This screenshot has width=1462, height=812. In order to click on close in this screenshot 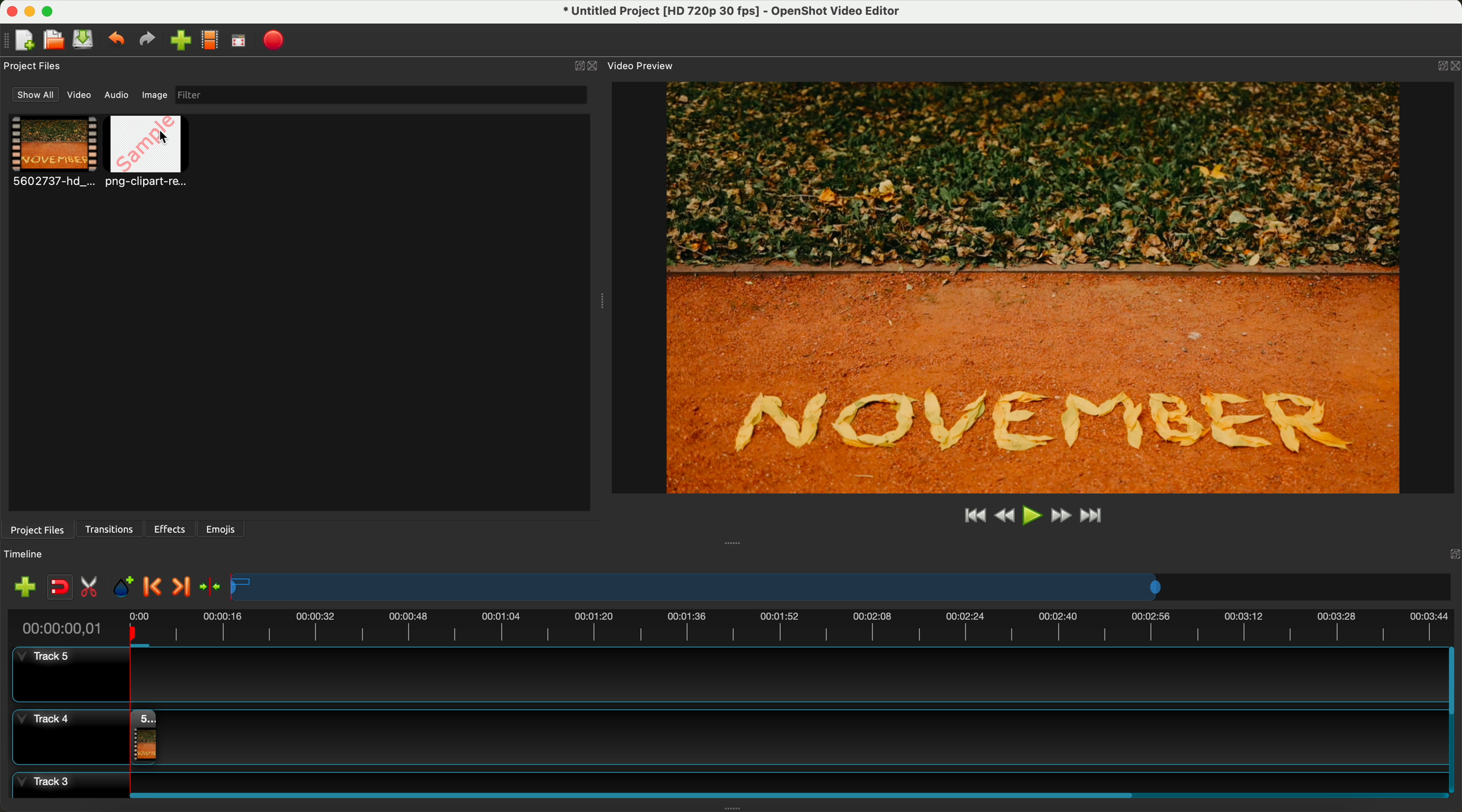, I will do `click(586, 66)`.